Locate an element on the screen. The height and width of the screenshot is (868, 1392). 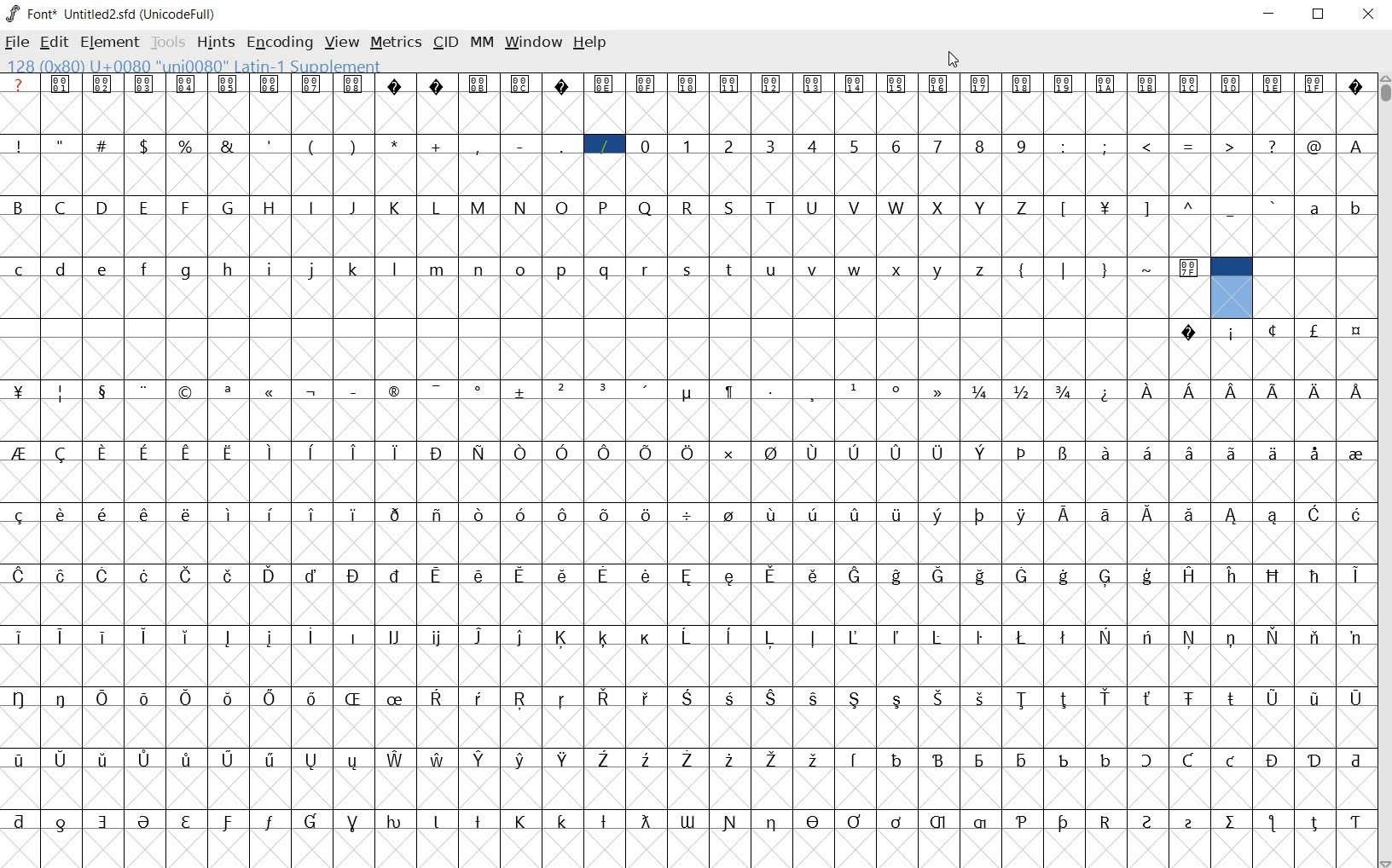
Symbol is located at coordinates (1230, 574).